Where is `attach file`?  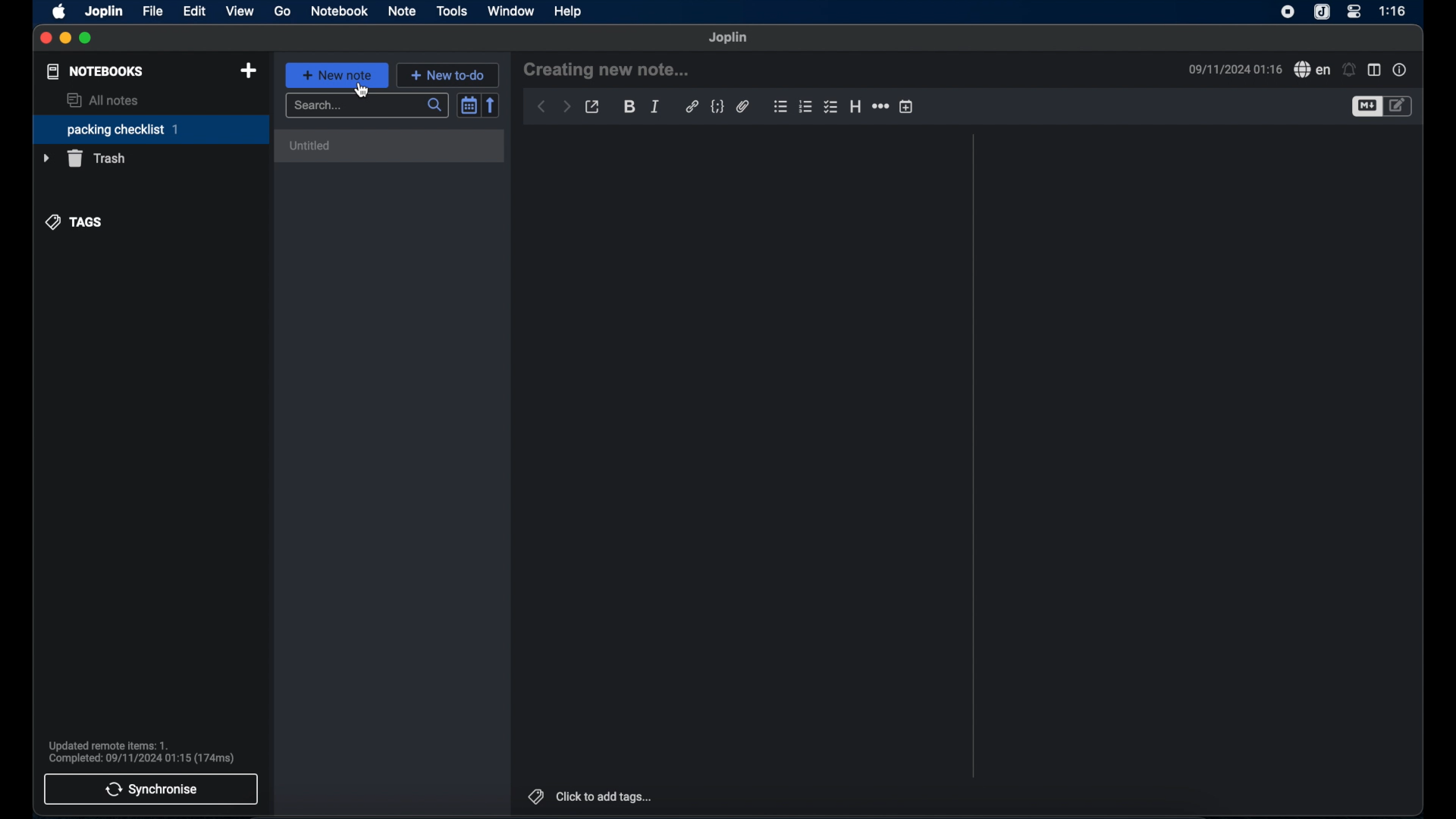 attach file is located at coordinates (742, 106).